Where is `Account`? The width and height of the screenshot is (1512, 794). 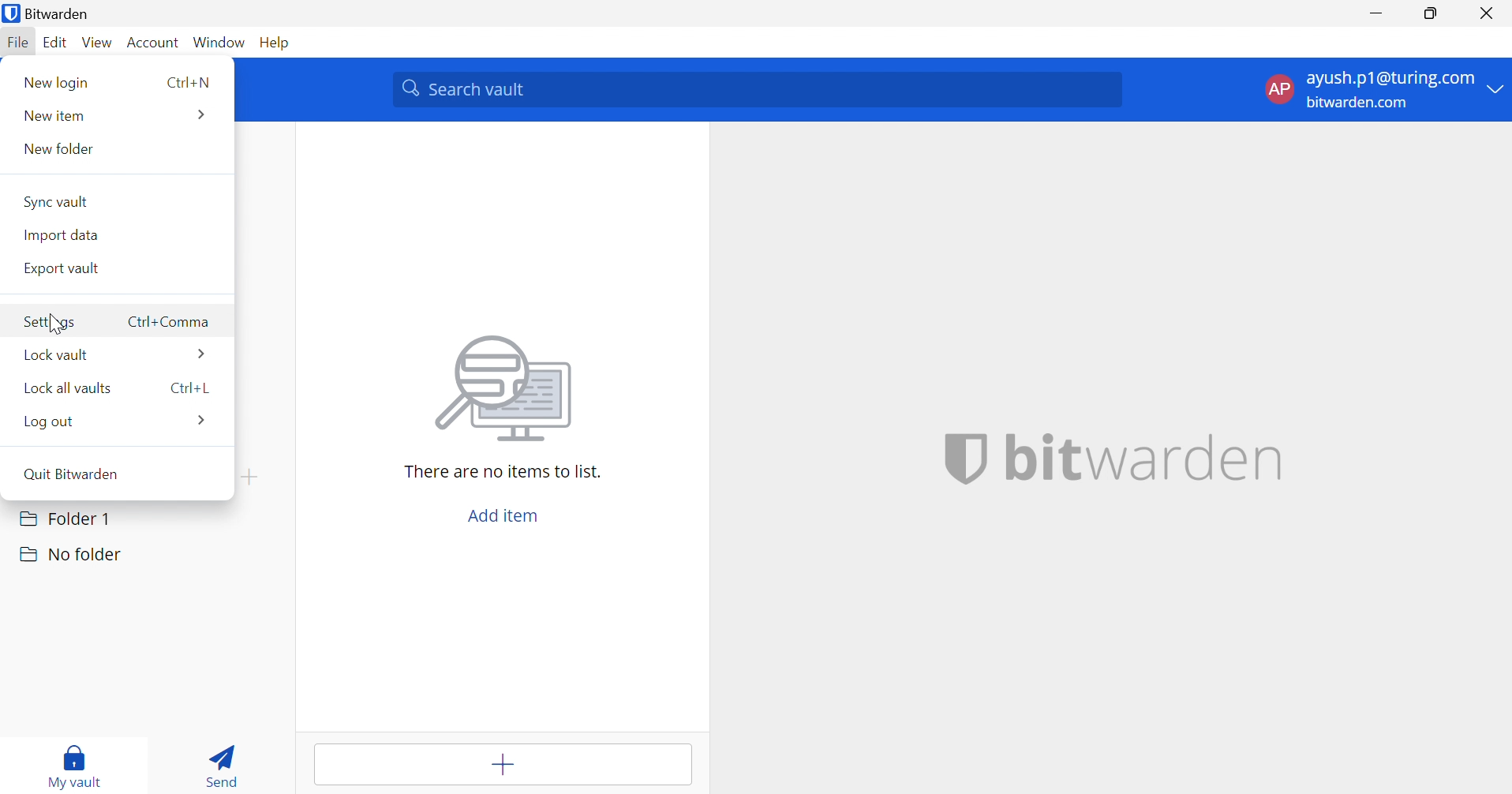 Account is located at coordinates (155, 43).